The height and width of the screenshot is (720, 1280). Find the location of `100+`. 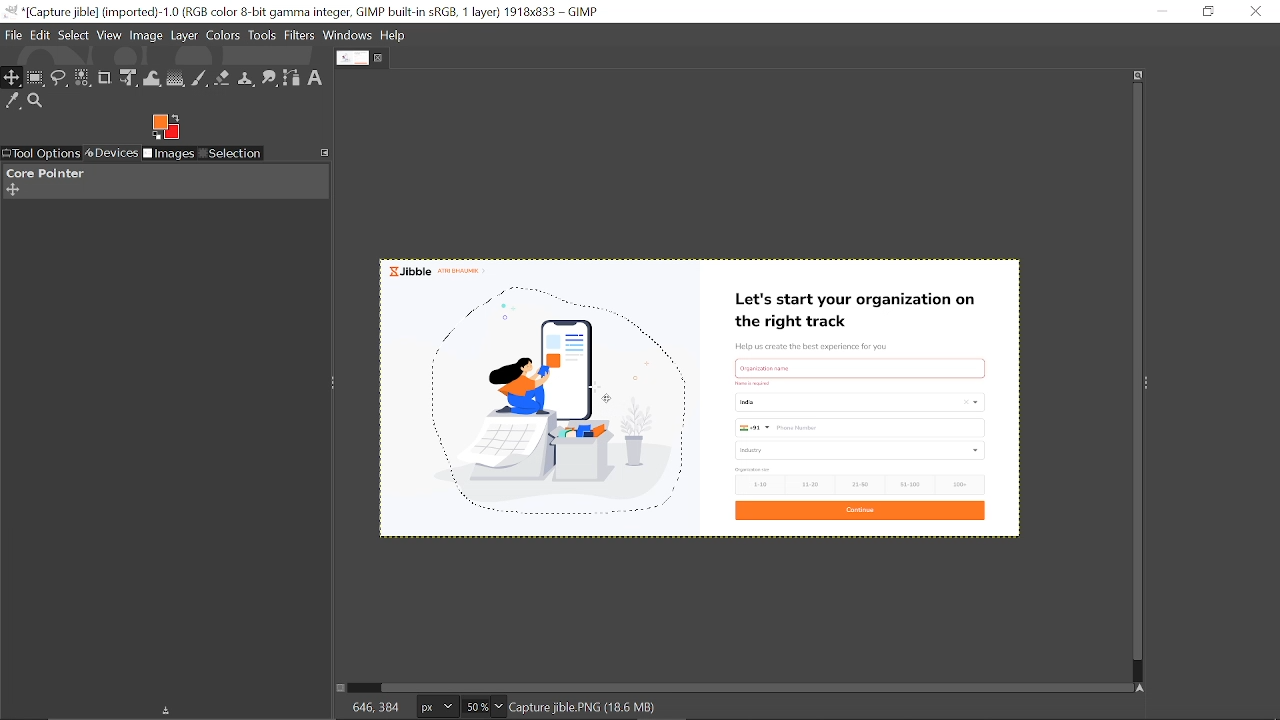

100+ is located at coordinates (958, 483).